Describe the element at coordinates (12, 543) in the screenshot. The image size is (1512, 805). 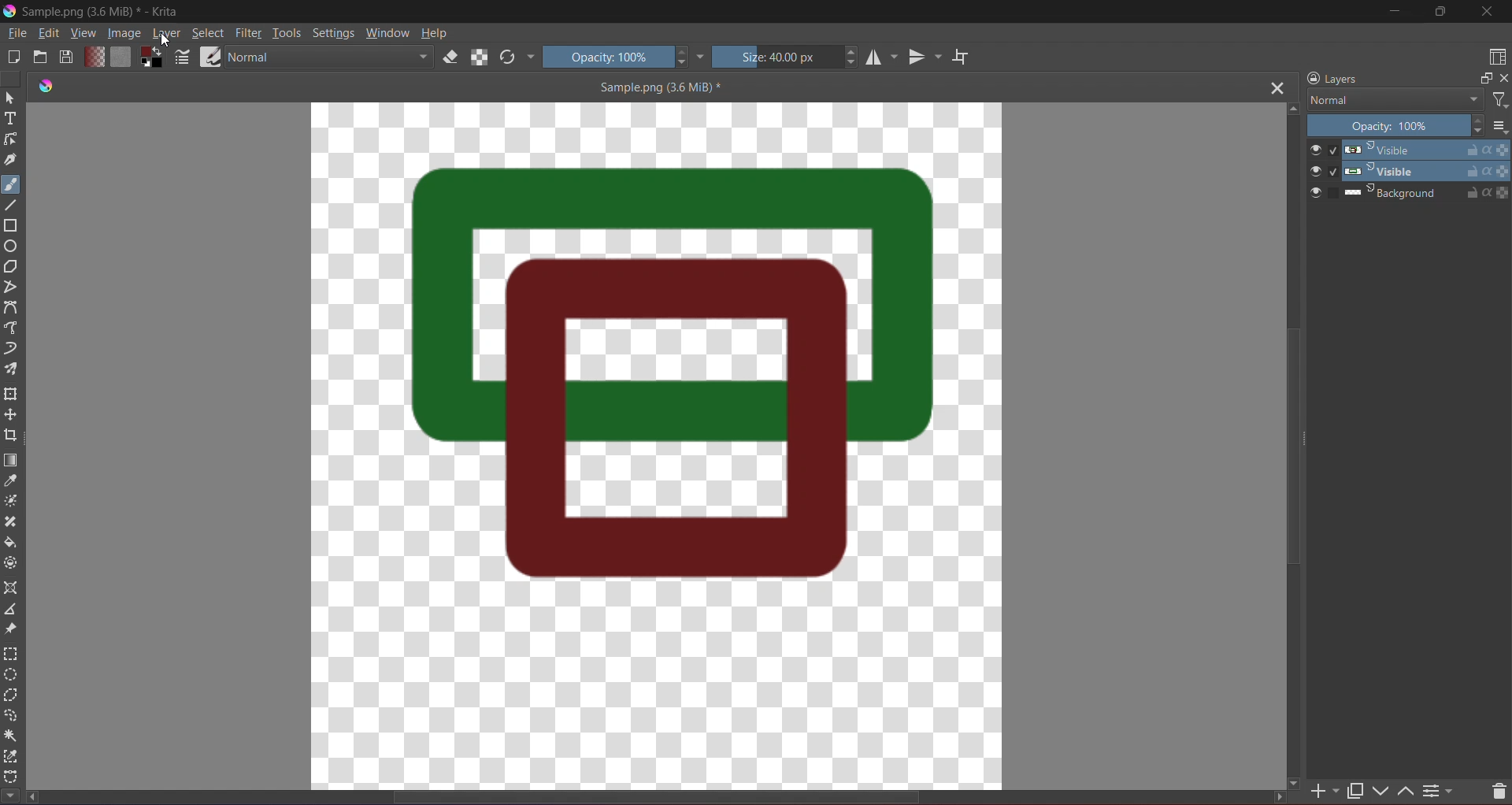
I see `Fill color` at that location.